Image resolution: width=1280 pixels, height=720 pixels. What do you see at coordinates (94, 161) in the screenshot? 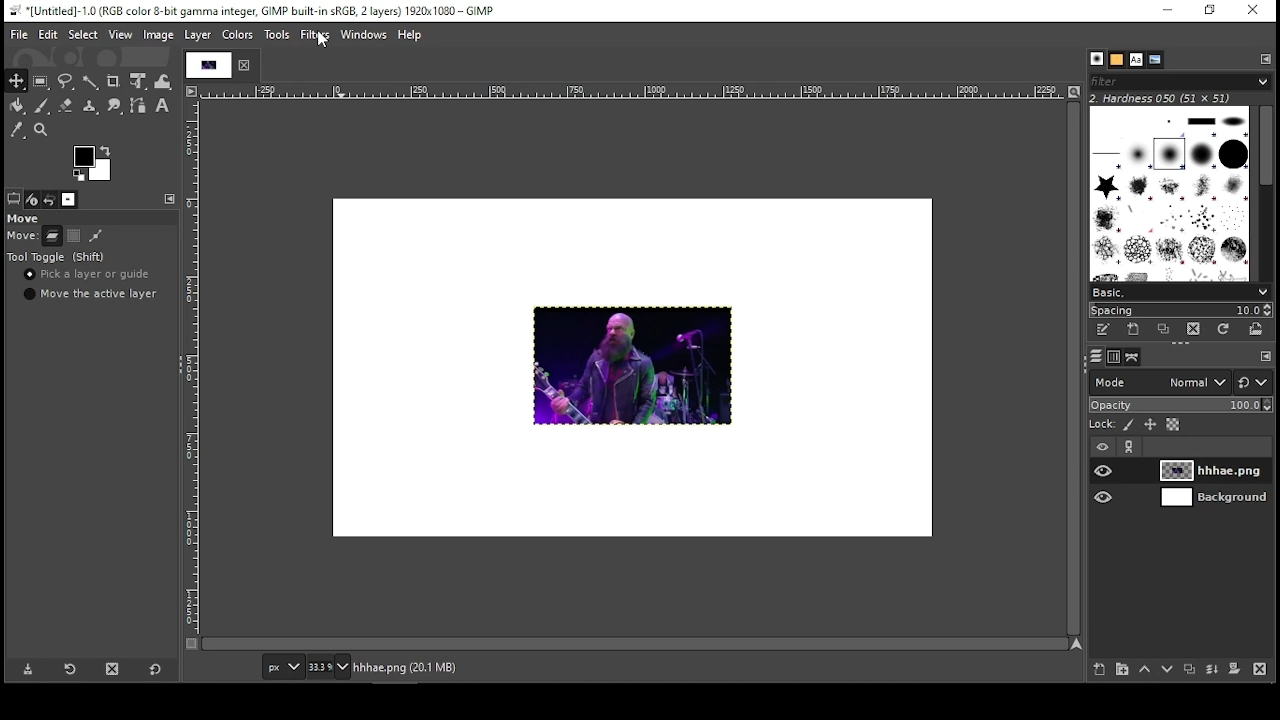
I see `colors` at bounding box center [94, 161].